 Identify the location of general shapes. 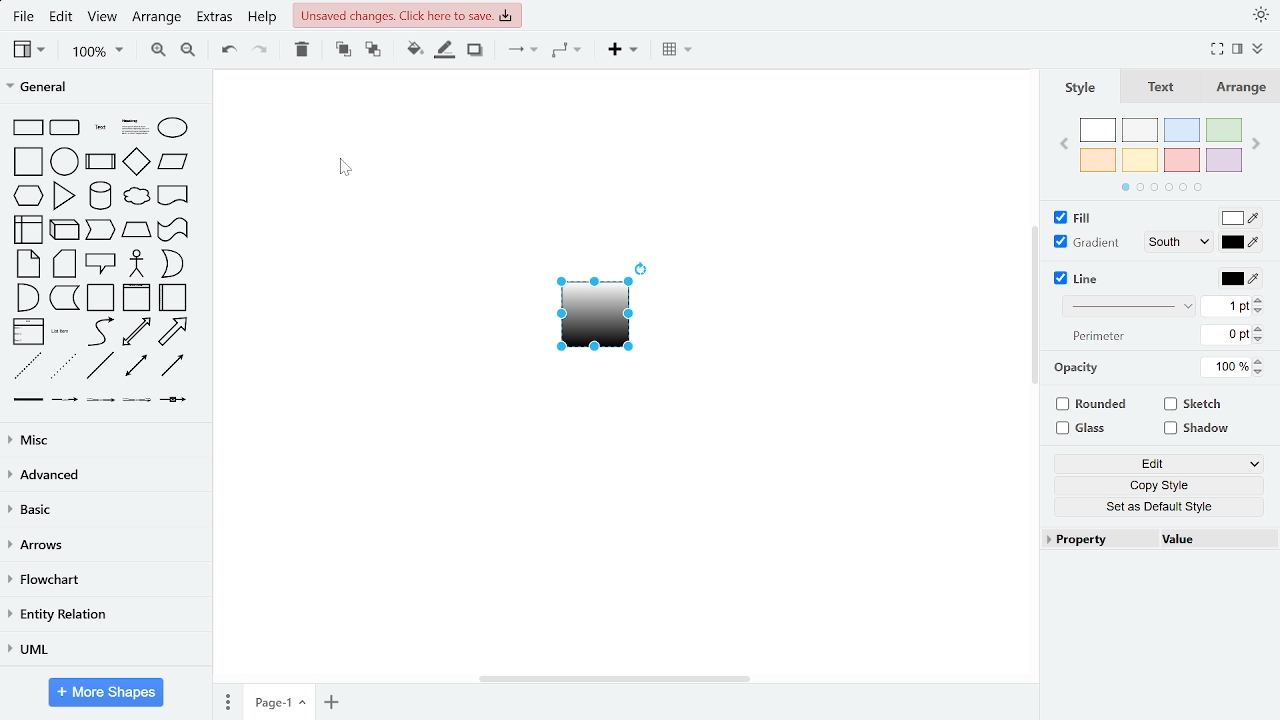
(172, 296).